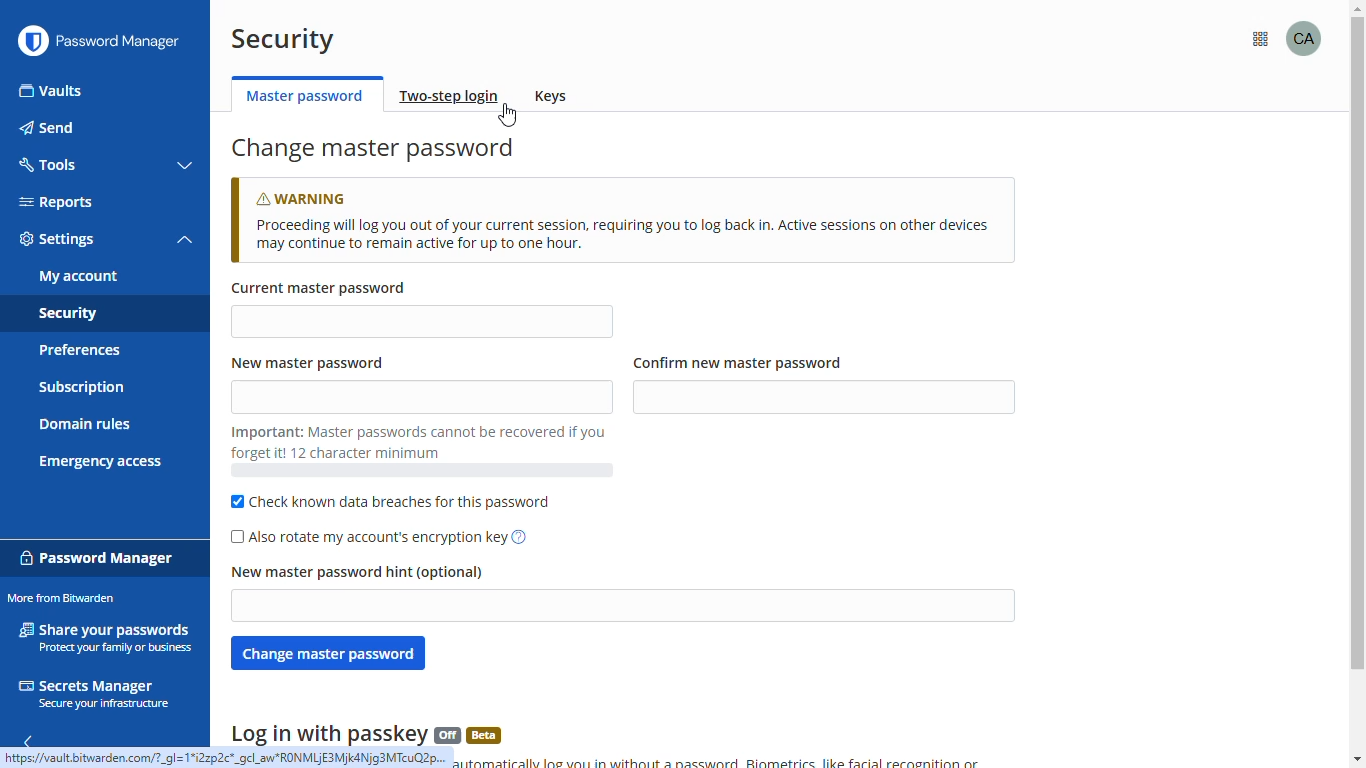 The width and height of the screenshot is (1366, 768). What do you see at coordinates (233, 759) in the screenshot?
I see `https://vault bitwarden.com/?_gl=1*i2zp2c*_gcl_aw*RONMLIE3Mjk4Njg3MTcuQ2p...` at bounding box center [233, 759].